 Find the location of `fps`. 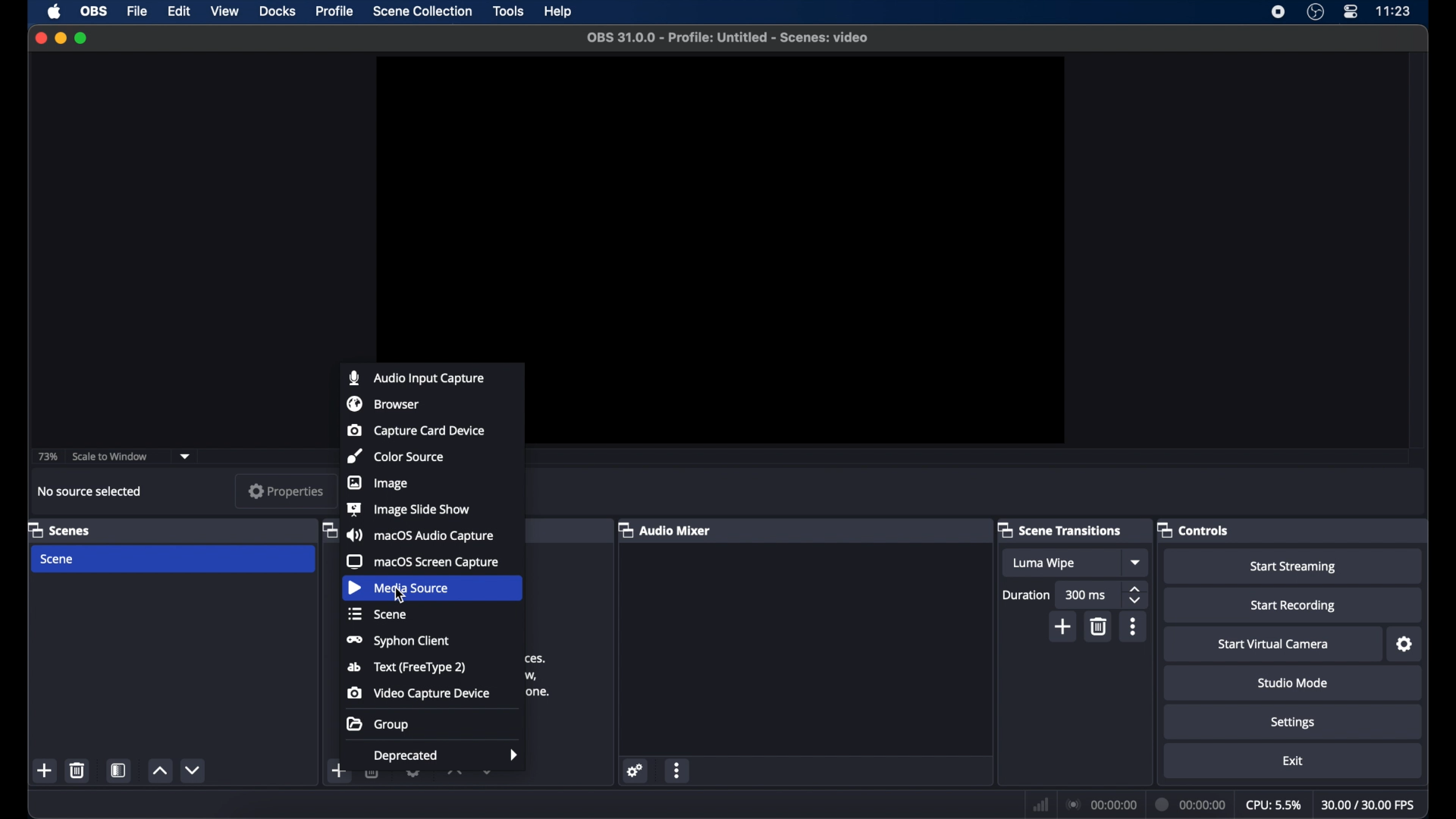

fps is located at coordinates (1370, 805).